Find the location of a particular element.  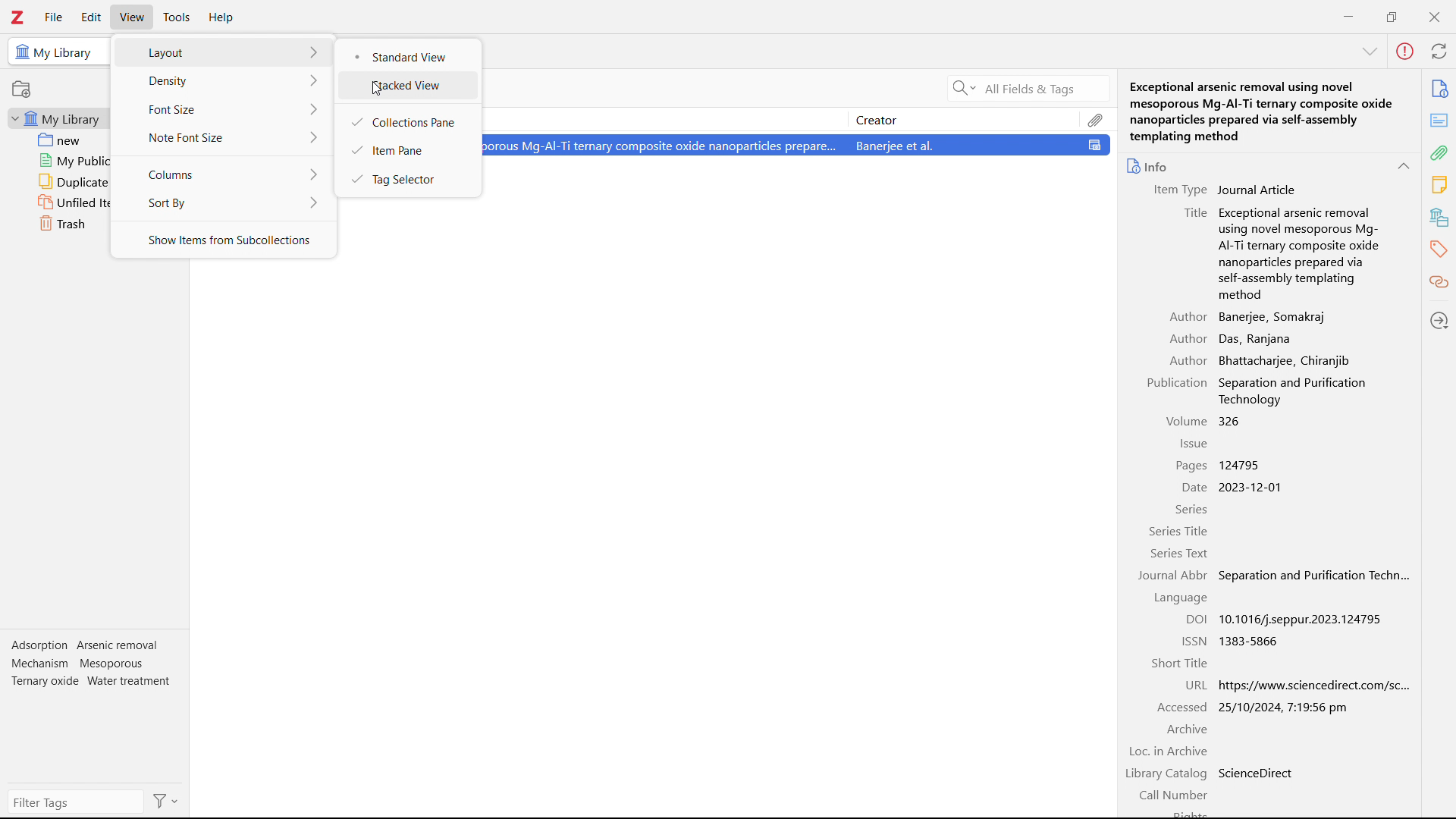

collections pane is located at coordinates (407, 121).